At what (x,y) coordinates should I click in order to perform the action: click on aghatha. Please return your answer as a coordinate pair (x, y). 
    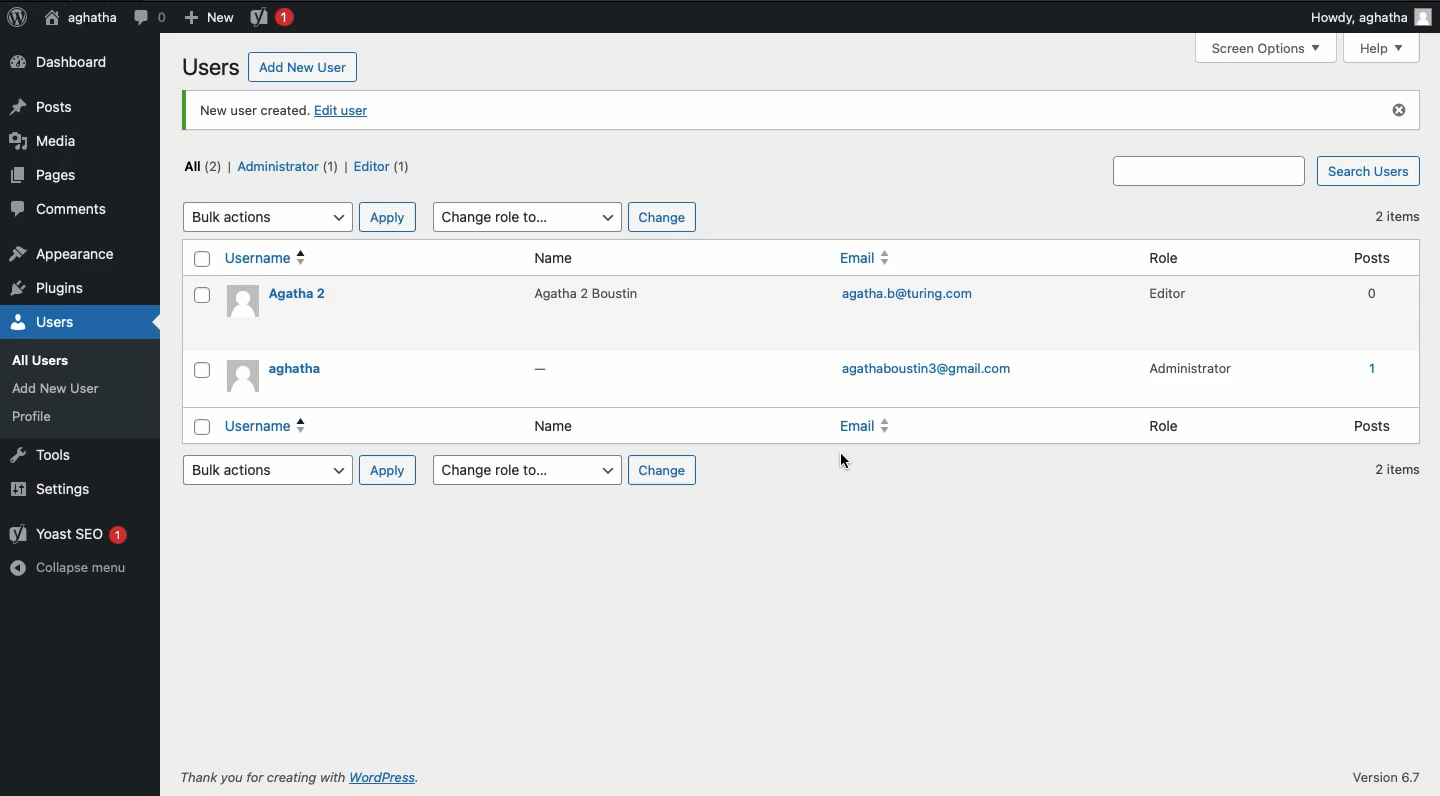
    Looking at the image, I should click on (284, 377).